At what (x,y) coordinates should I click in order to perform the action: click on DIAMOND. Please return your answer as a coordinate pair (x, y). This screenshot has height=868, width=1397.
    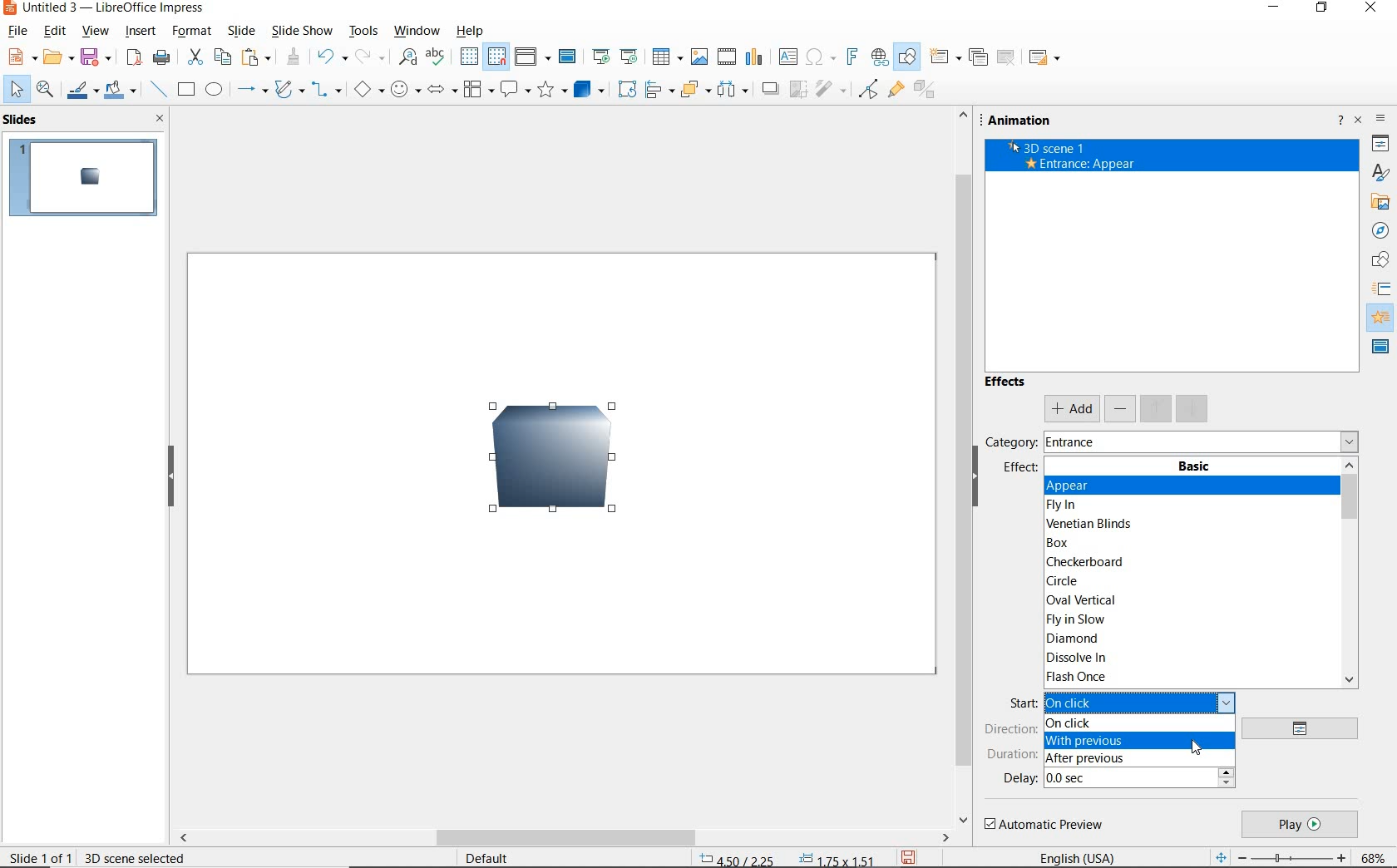
    Looking at the image, I should click on (1074, 640).